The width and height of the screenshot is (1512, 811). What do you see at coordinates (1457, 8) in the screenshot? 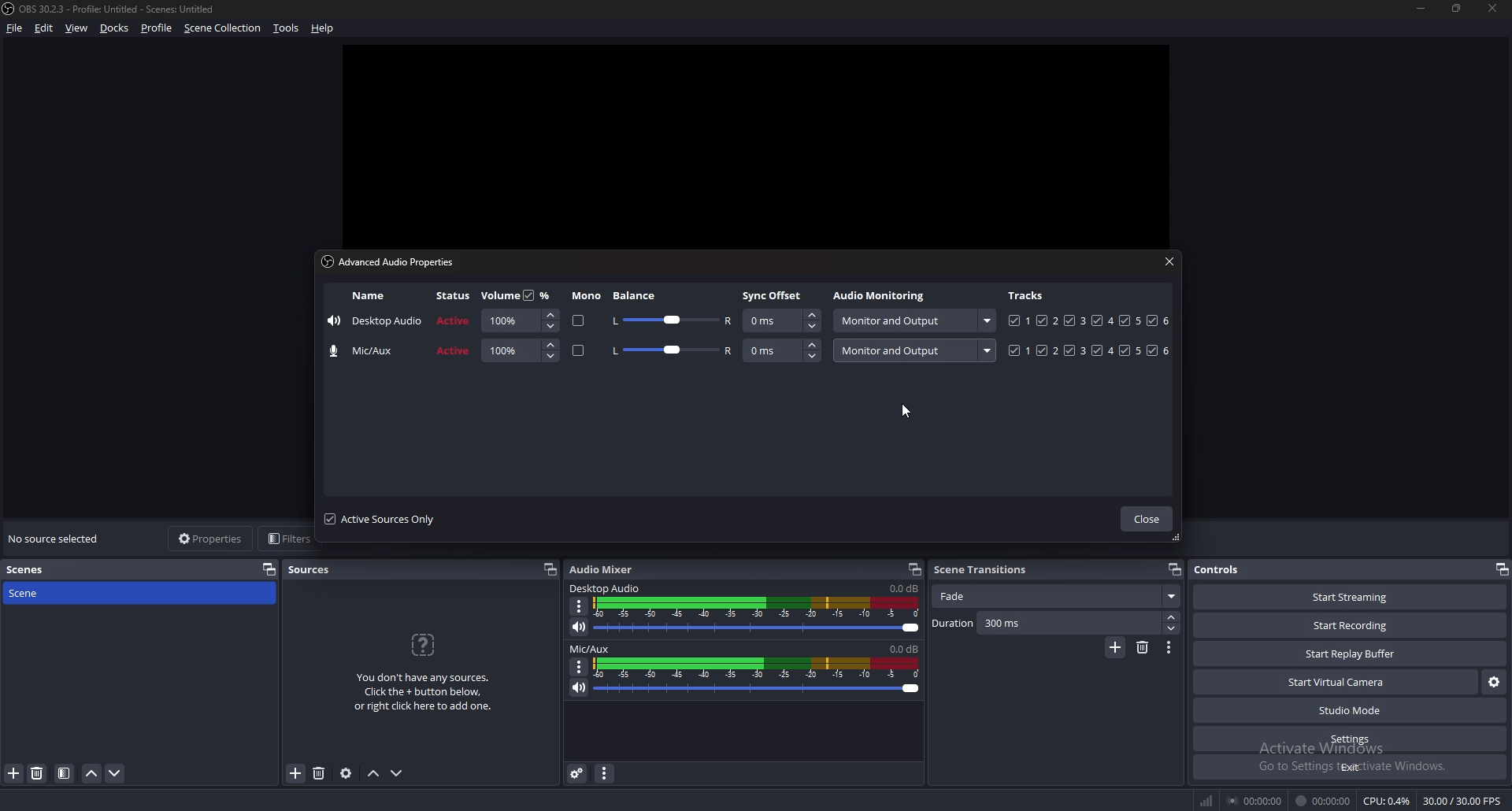
I see `resize` at bounding box center [1457, 8].